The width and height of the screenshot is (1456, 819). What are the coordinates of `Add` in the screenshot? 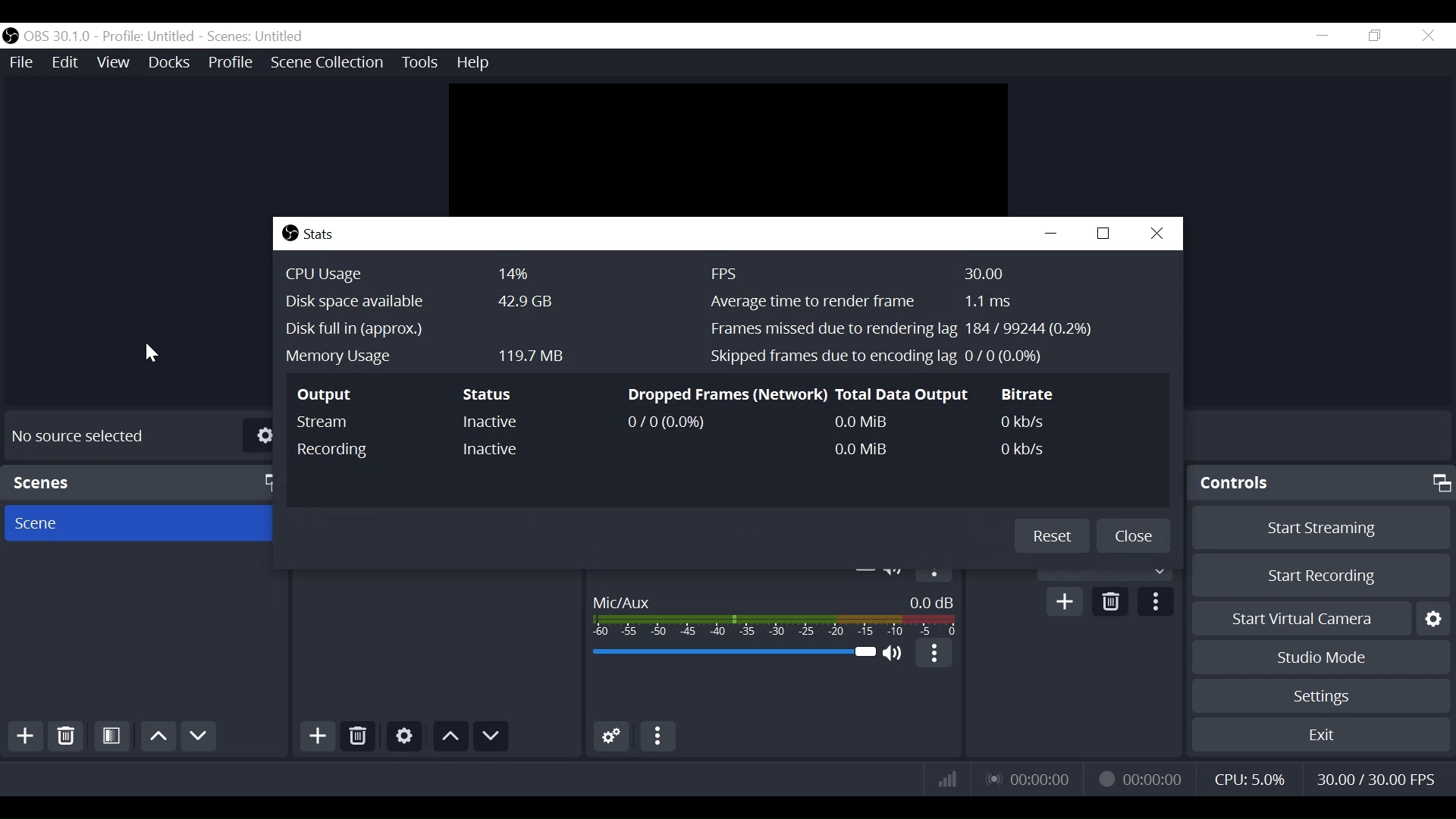 It's located at (28, 739).